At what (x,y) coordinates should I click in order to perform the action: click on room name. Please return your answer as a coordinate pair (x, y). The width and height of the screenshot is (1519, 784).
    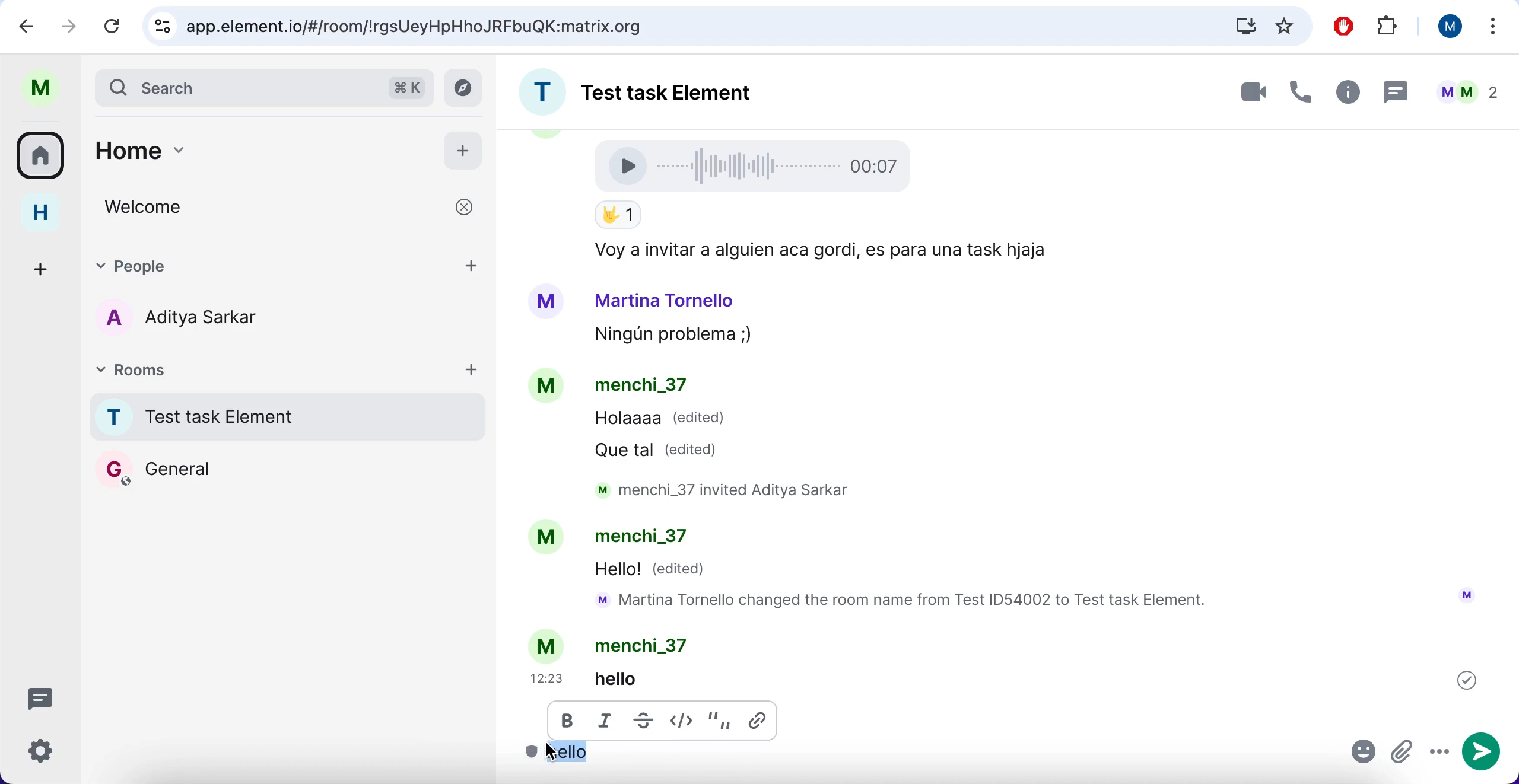
    Looking at the image, I should click on (659, 88).